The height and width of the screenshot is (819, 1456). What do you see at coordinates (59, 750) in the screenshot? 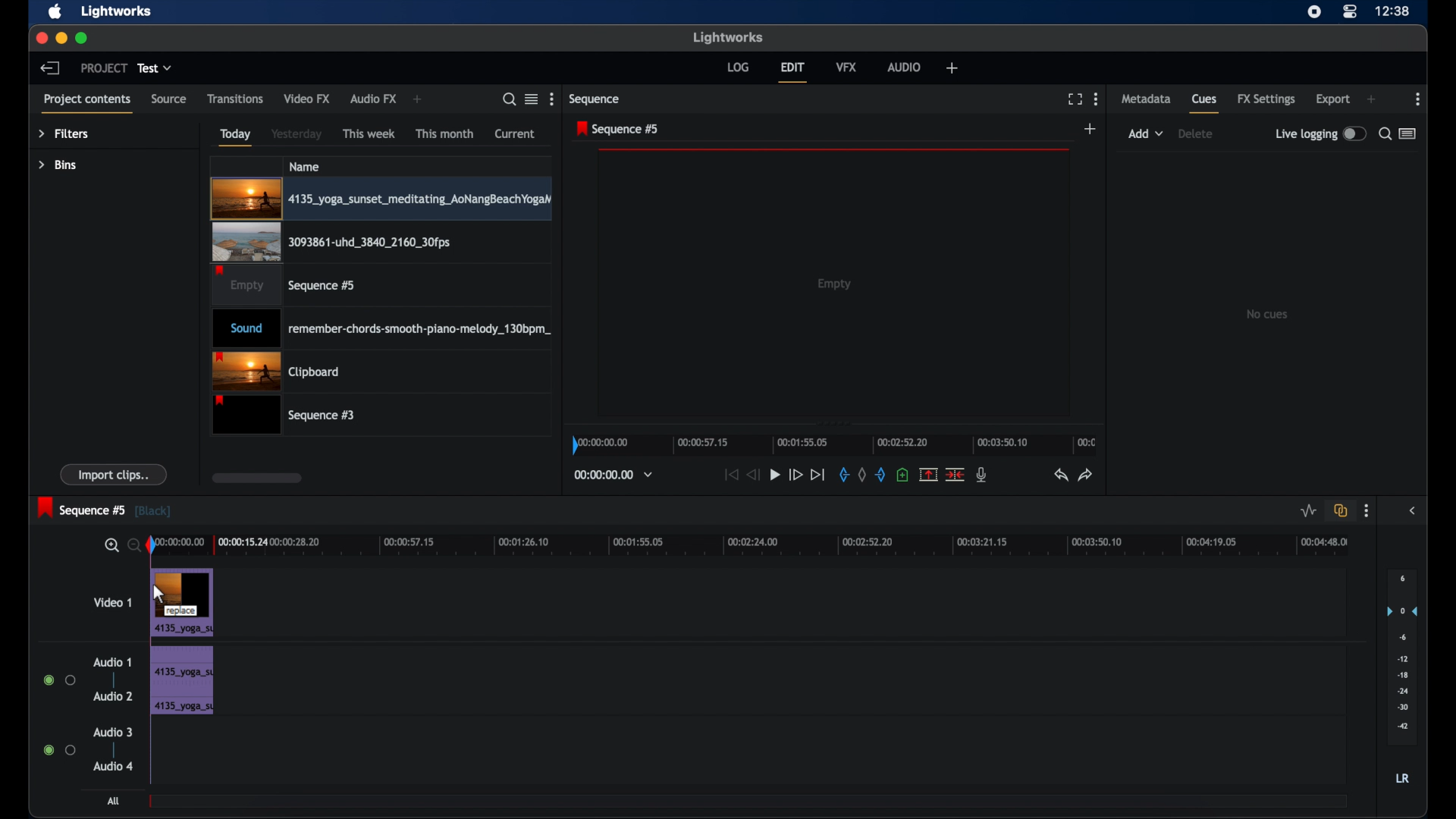
I see `radio button` at bounding box center [59, 750].